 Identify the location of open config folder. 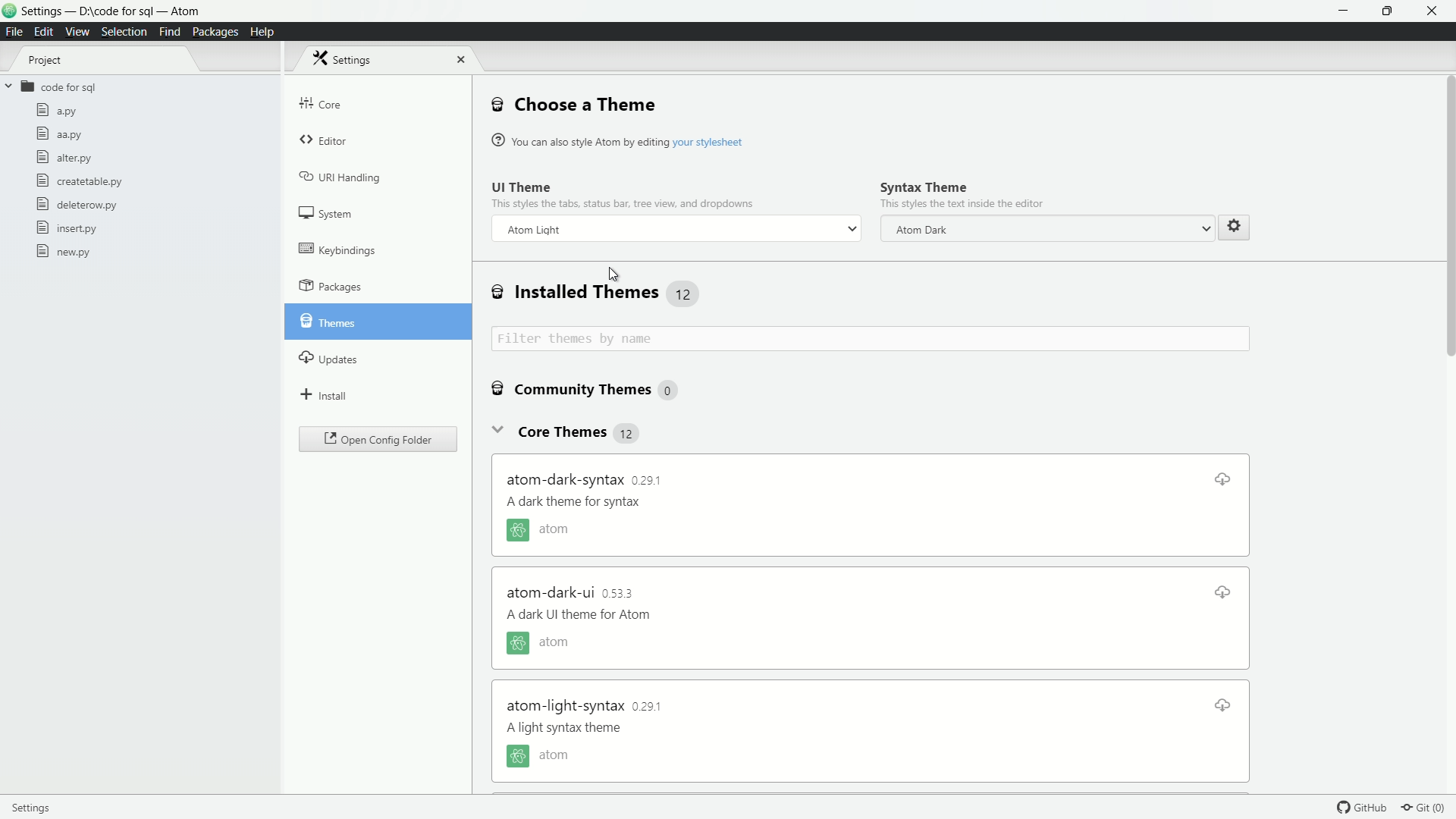
(378, 441).